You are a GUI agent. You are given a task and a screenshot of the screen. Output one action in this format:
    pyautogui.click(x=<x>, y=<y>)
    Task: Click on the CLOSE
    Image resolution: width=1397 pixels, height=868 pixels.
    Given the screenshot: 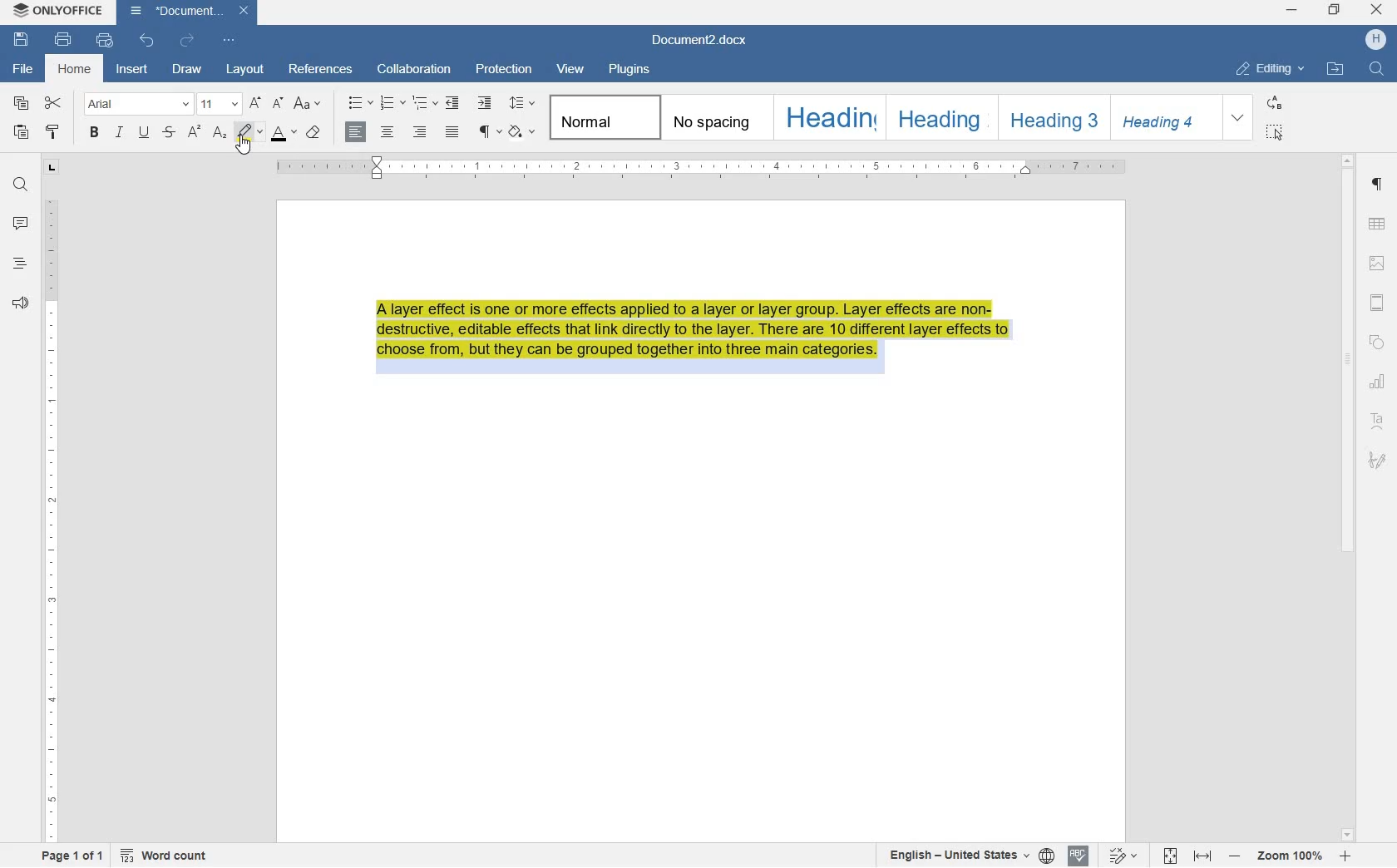 What is the action you would take?
    pyautogui.click(x=1375, y=10)
    